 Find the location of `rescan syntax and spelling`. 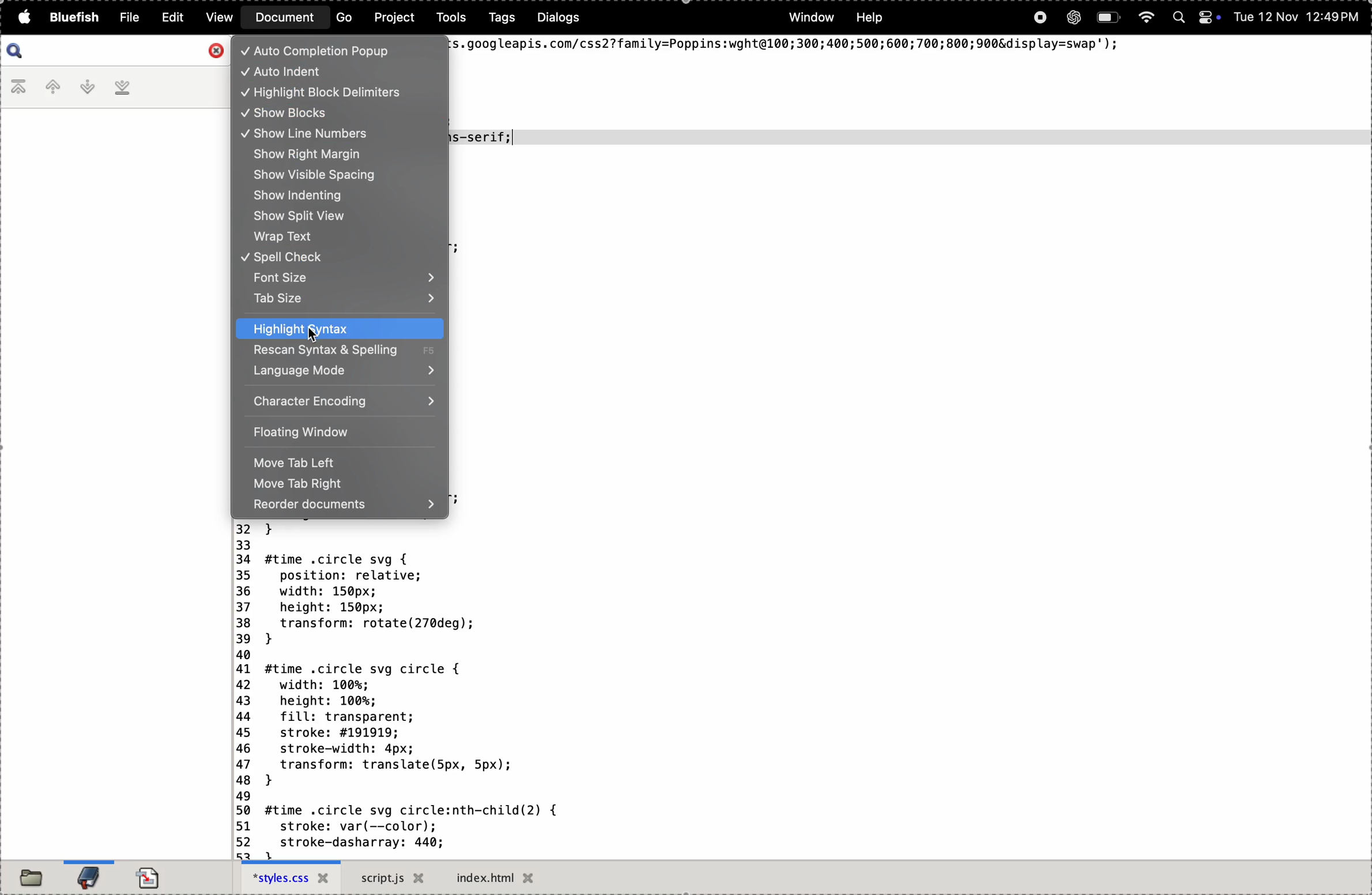

rescan syntax and spelling is located at coordinates (338, 351).